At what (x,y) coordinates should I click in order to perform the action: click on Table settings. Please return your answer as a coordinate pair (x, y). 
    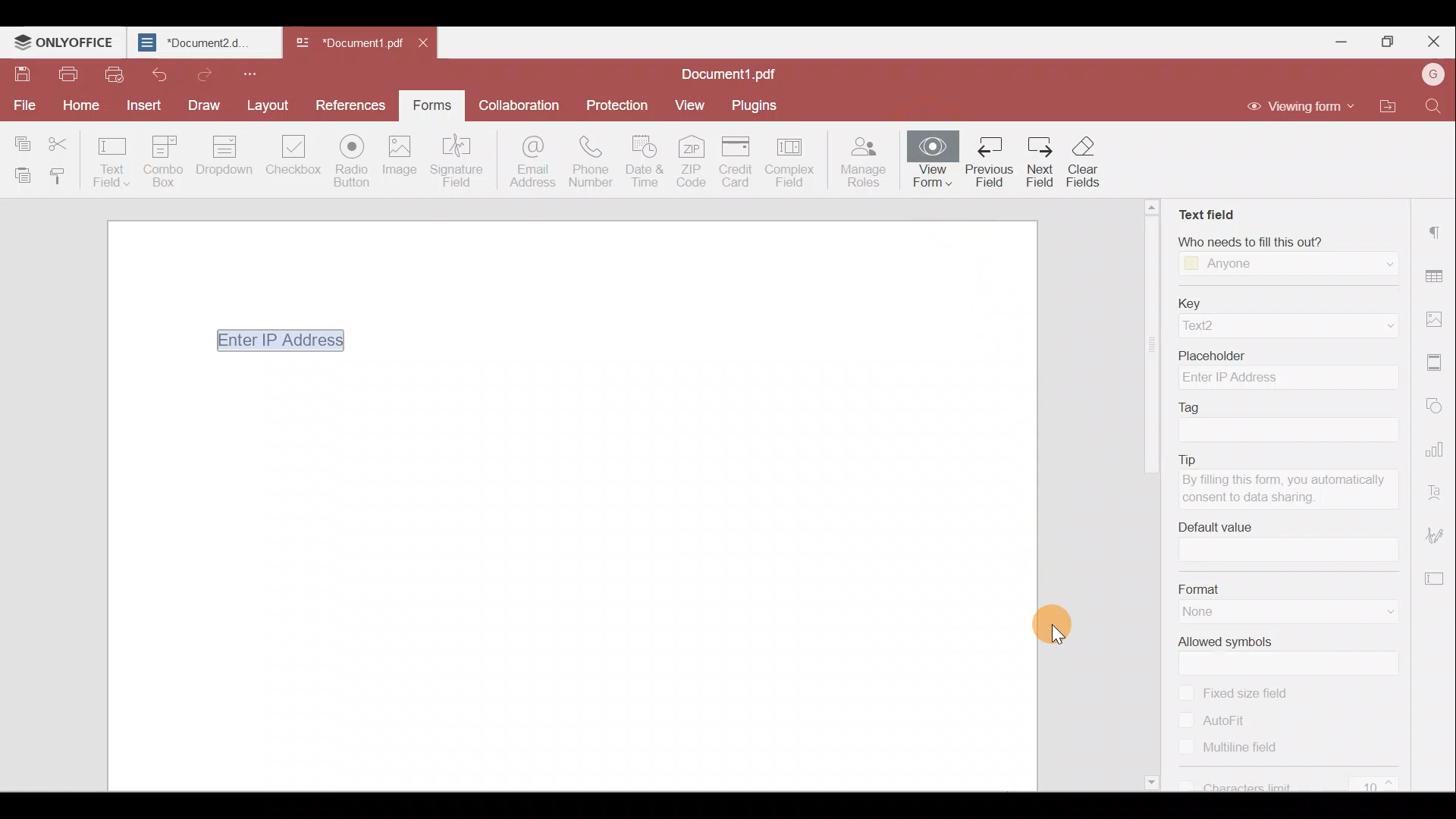
    Looking at the image, I should click on (1436, 271).